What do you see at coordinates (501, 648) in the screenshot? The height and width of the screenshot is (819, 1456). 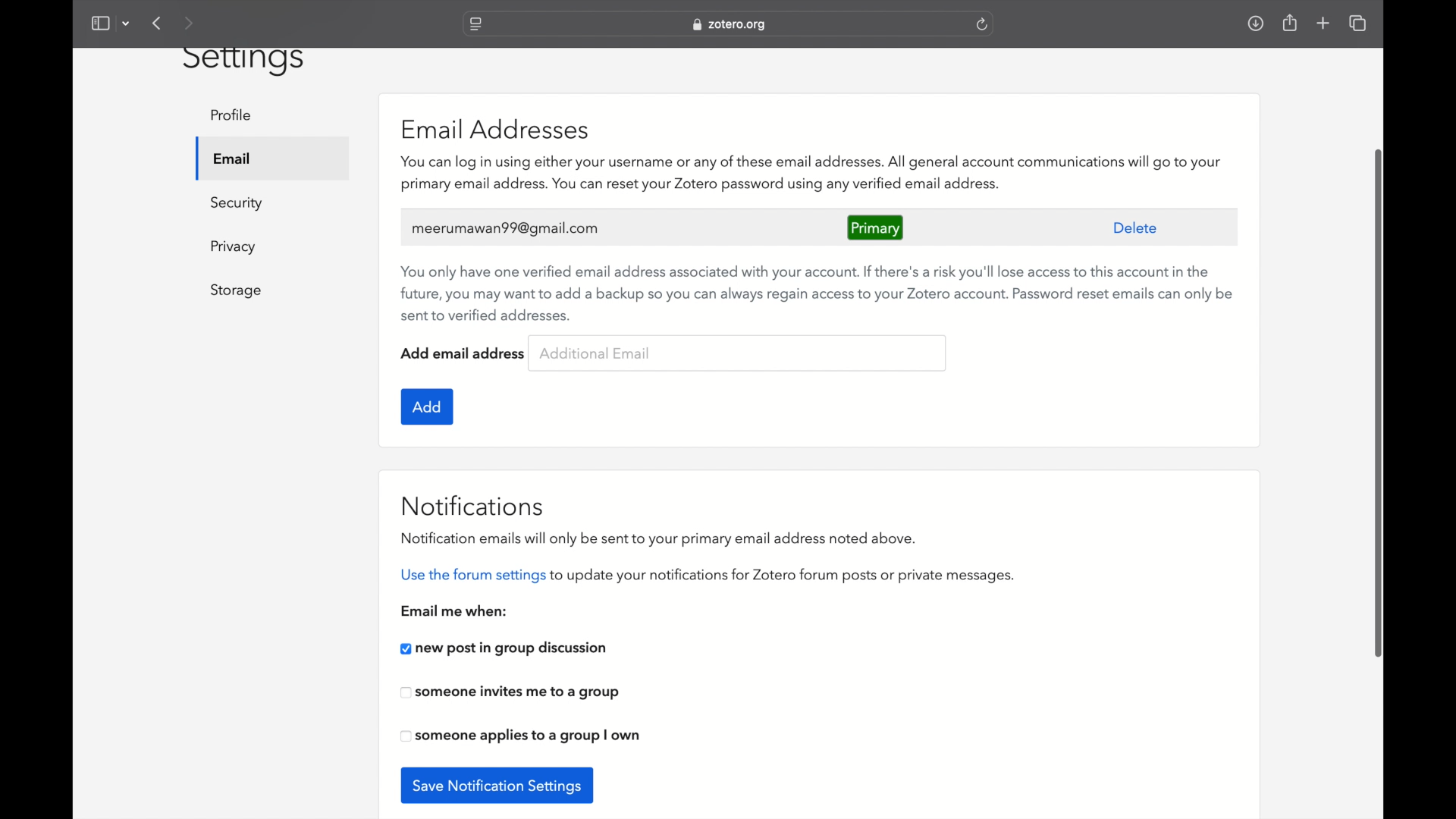 I see `new post in group discussion` at bounding box center [501, 648].